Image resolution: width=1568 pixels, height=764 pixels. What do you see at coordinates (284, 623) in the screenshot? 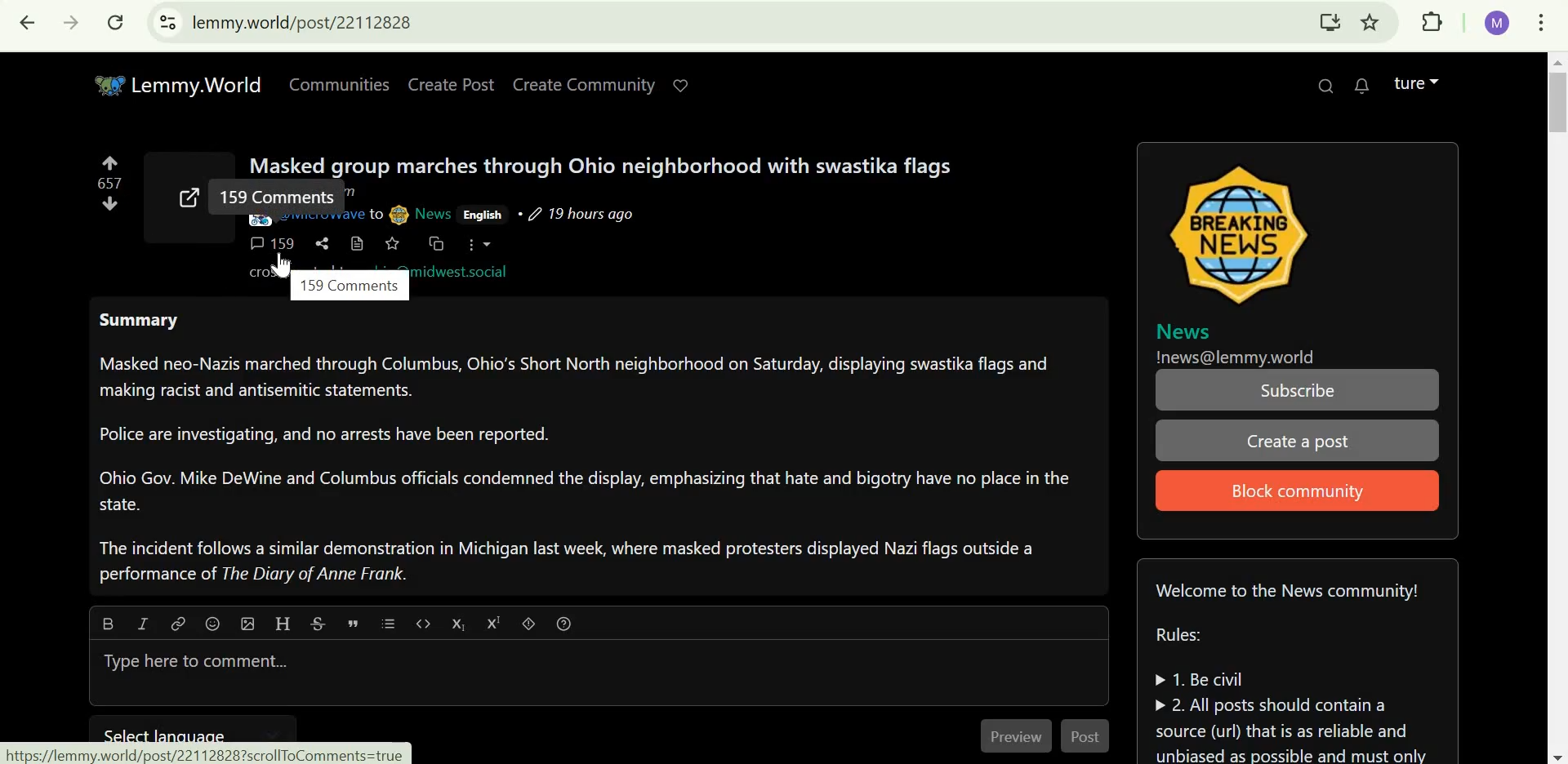
I see `Header` at bounding box center [284, 623].